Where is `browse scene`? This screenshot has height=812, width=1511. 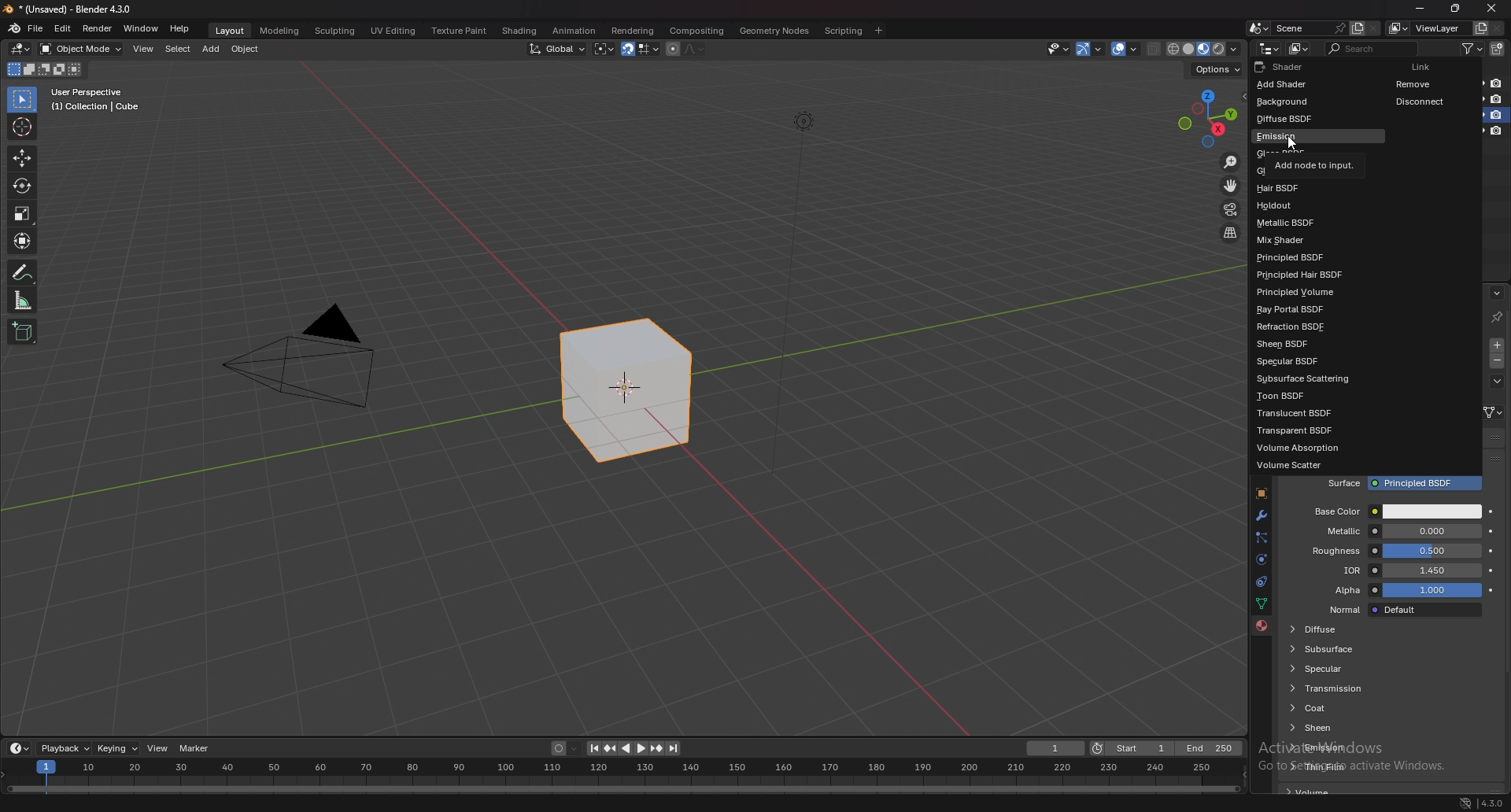 browse scene is located at coordinates (1259, 28).